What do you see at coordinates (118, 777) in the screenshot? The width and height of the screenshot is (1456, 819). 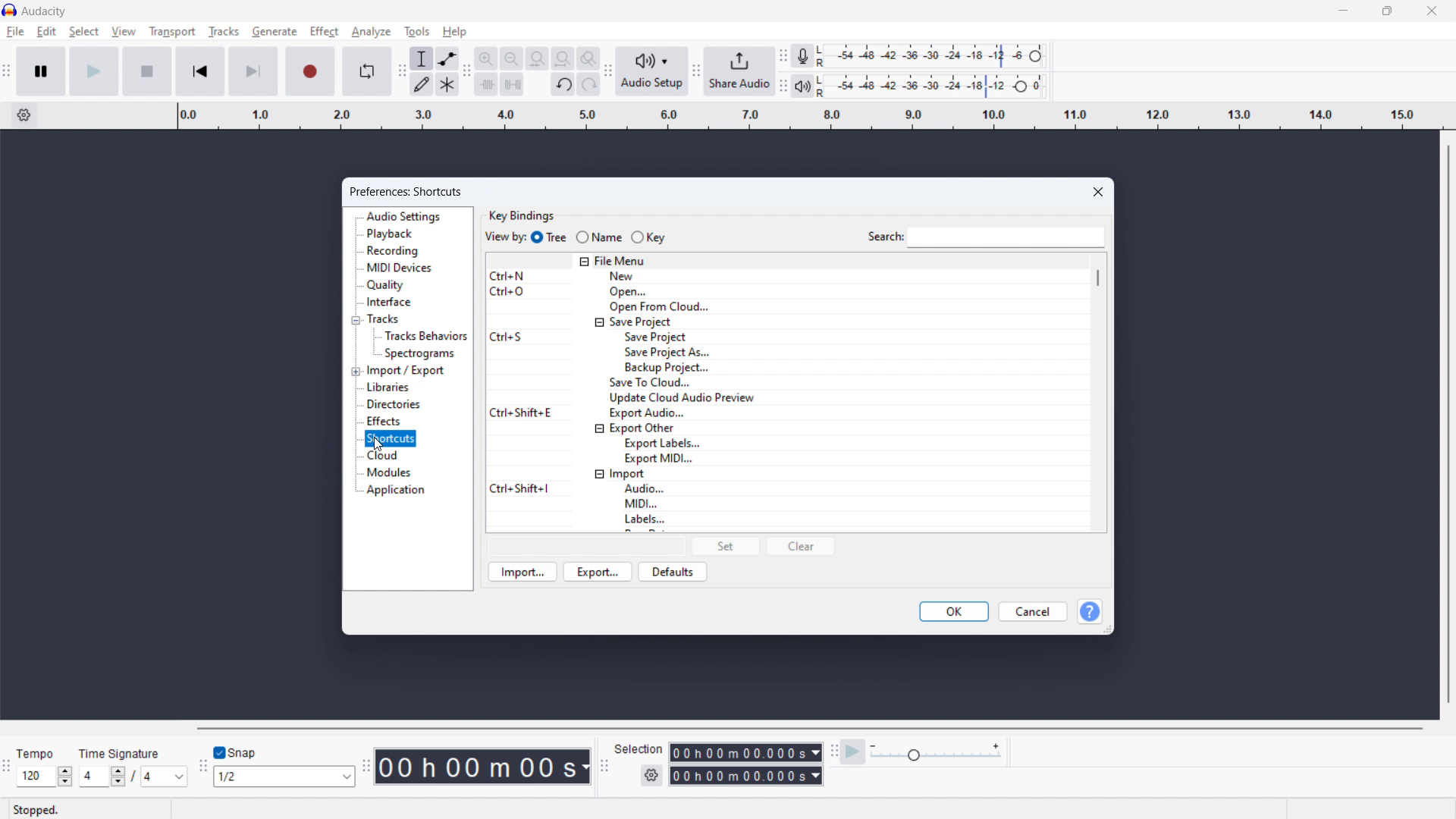 I see `Increase/Decrease time signature` at bounding box center [118, 777].